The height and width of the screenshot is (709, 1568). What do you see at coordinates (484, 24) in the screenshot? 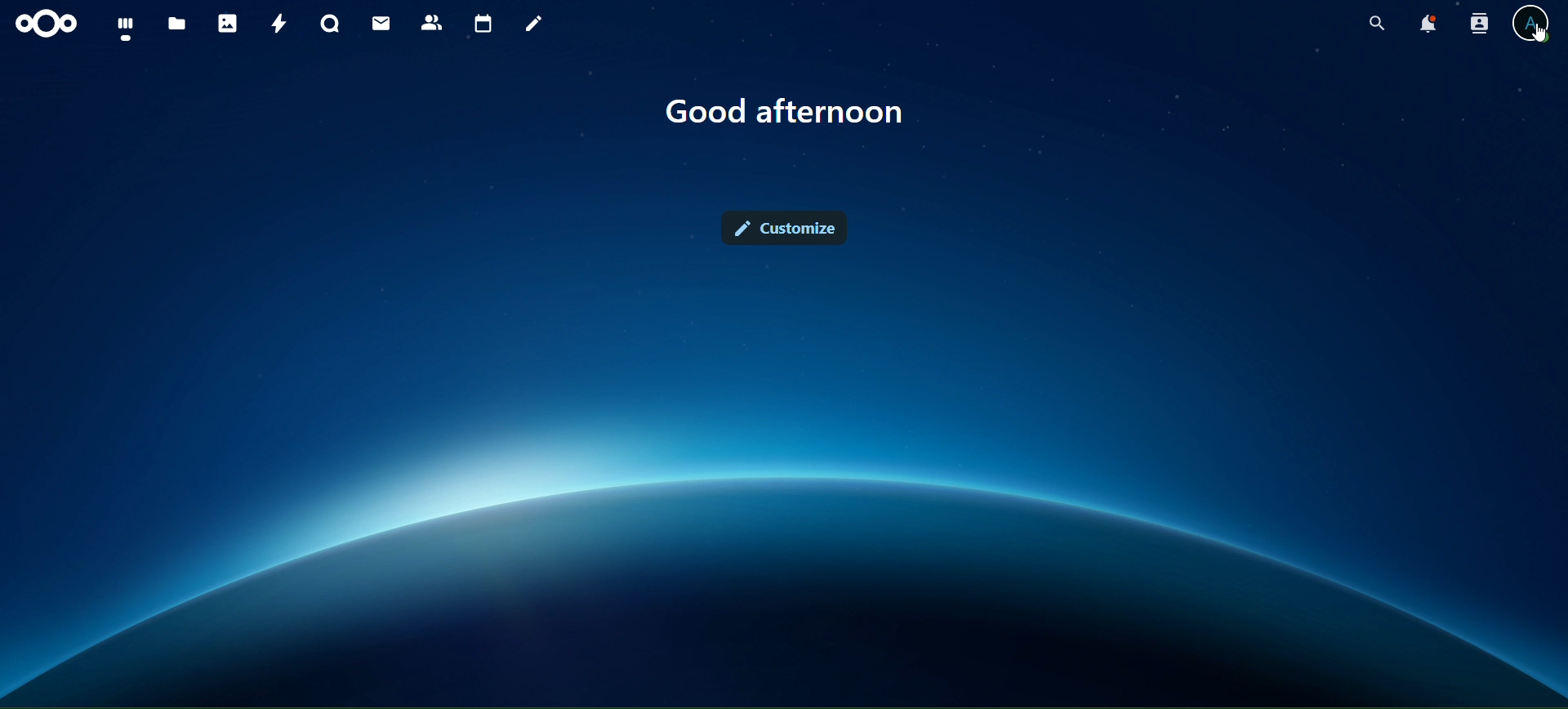
I see `calendar` at bounding box center [484, 24].